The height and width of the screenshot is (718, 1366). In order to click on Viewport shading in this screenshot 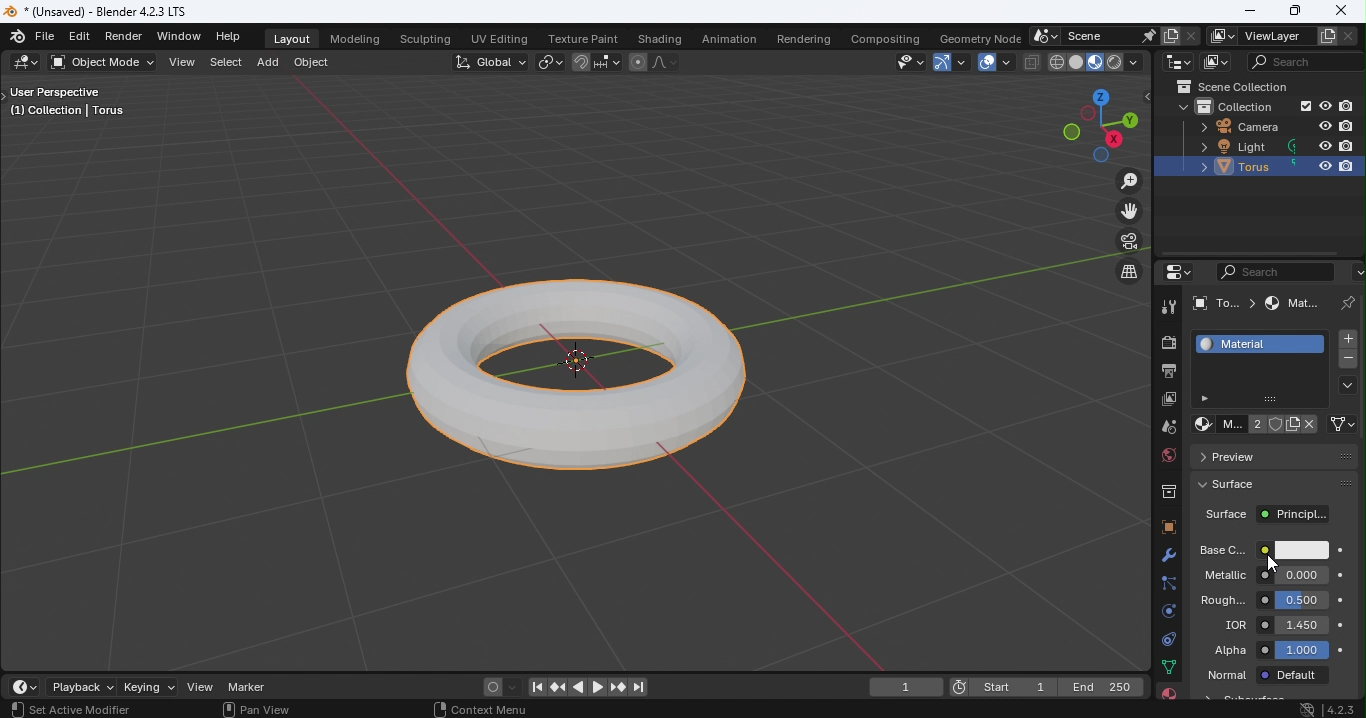, I will do `click(1056, 62)`.